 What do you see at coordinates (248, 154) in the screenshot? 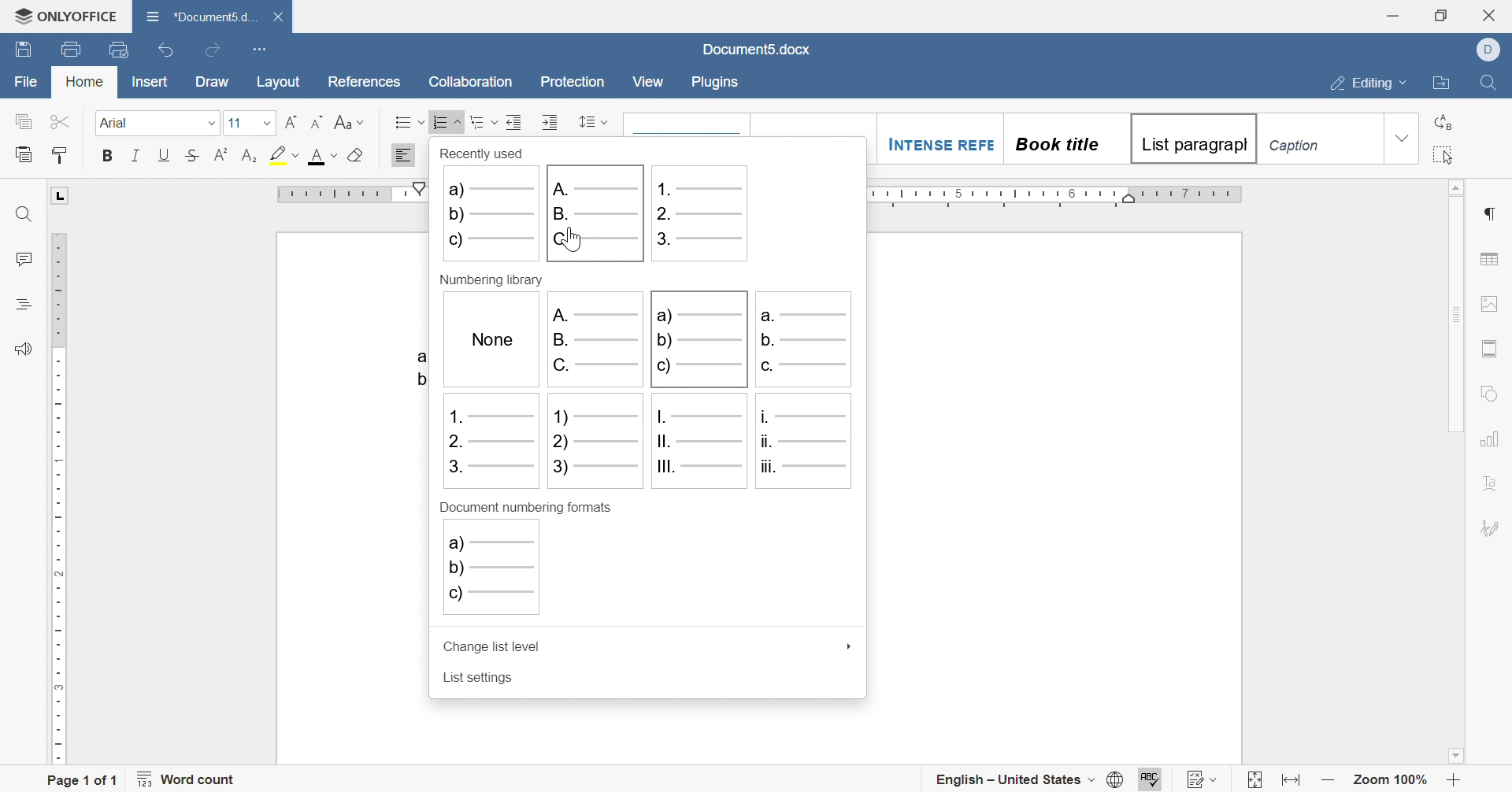
I see `subscript` at bounding box center [248, 154].